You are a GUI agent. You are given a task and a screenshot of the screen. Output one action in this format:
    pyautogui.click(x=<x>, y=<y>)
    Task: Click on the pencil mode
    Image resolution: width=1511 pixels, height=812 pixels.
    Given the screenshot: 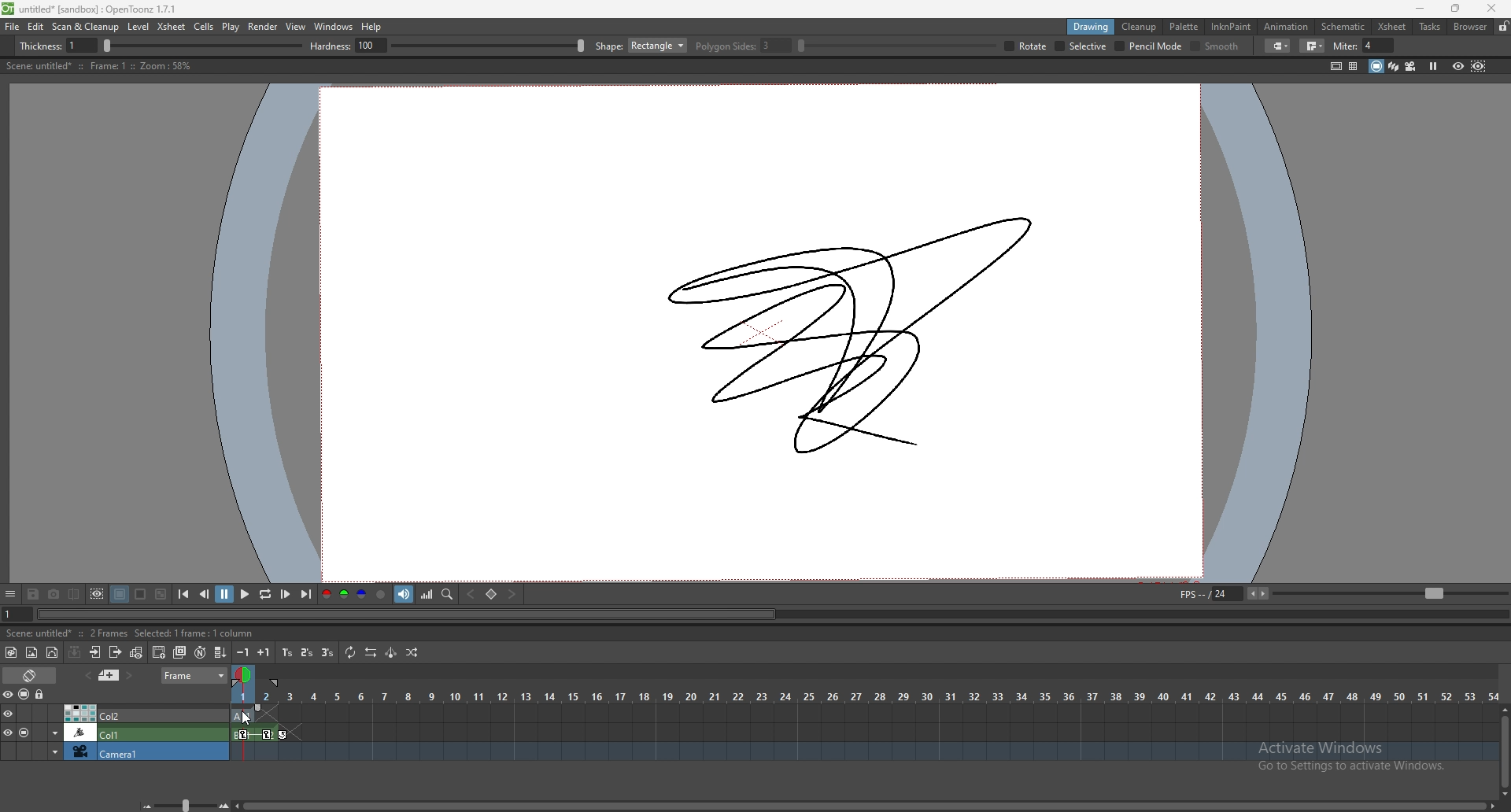 What is the action you would take?
    pyautogui.click(x=1150, y=46)
    